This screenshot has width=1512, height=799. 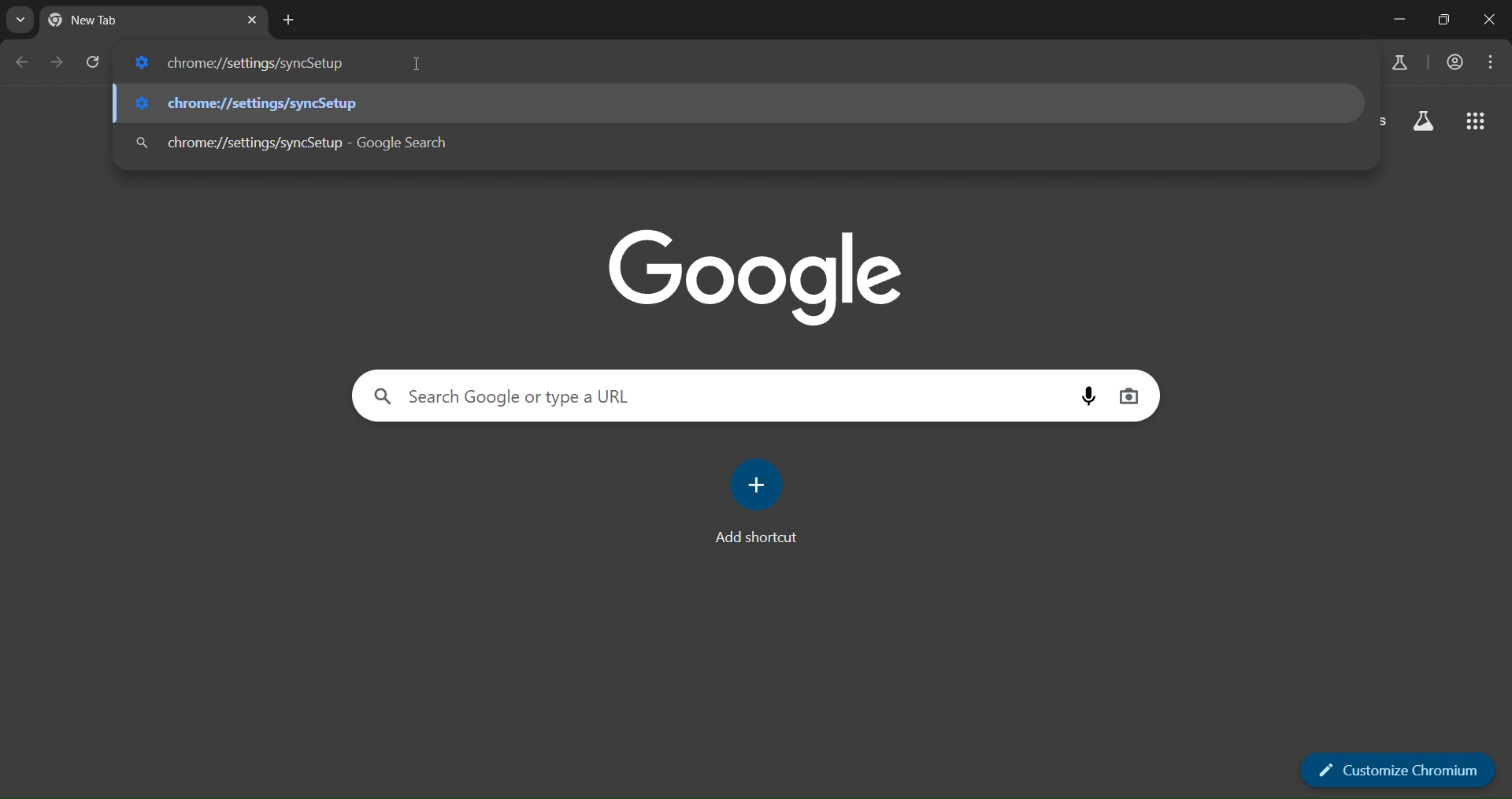 What do you see at coordinates (1425, 120) in the screenshot?
I see `search labs` at bounding box center [1425, 120].